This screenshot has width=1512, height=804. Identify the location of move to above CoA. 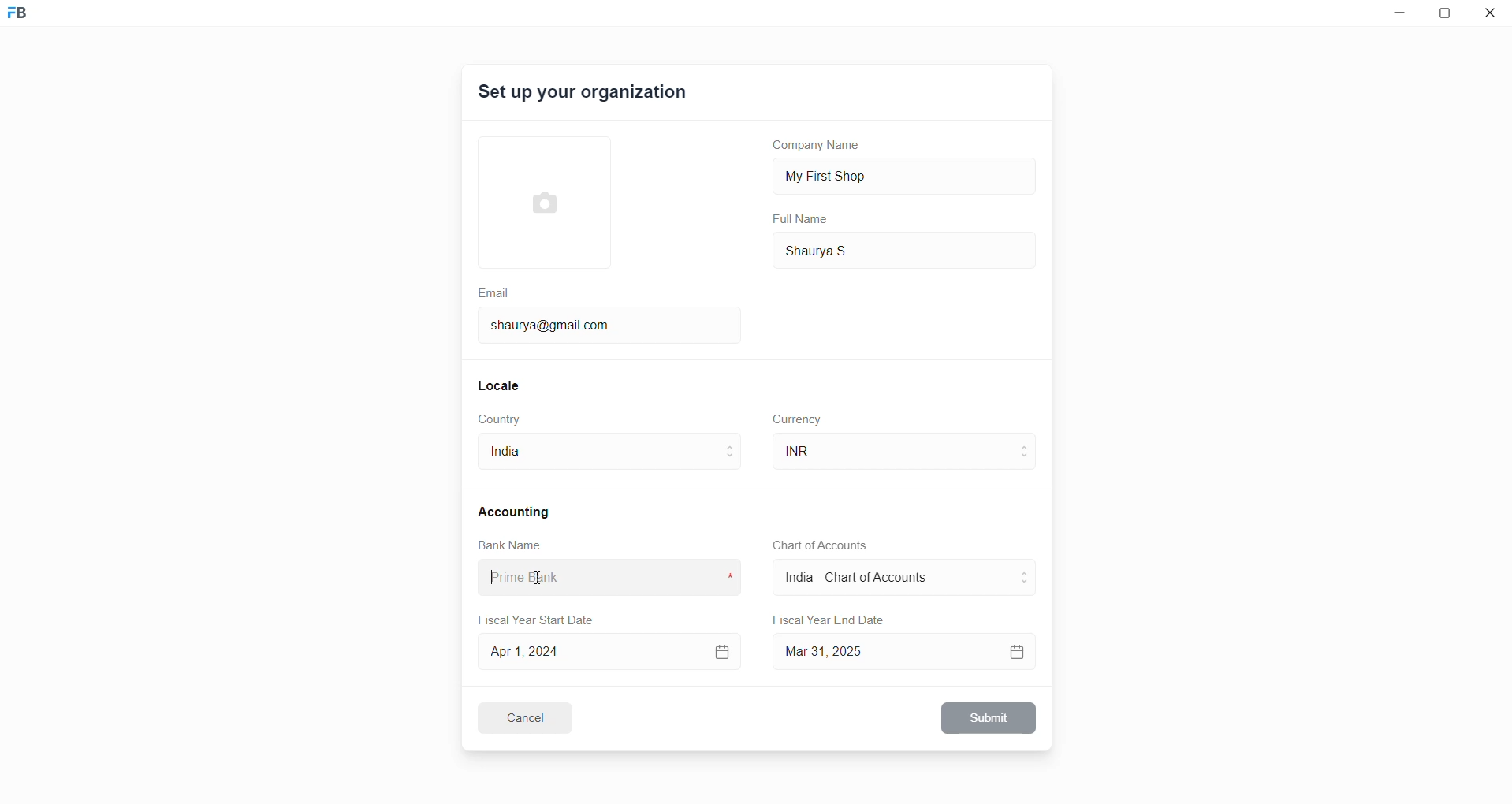
(1028, 571).